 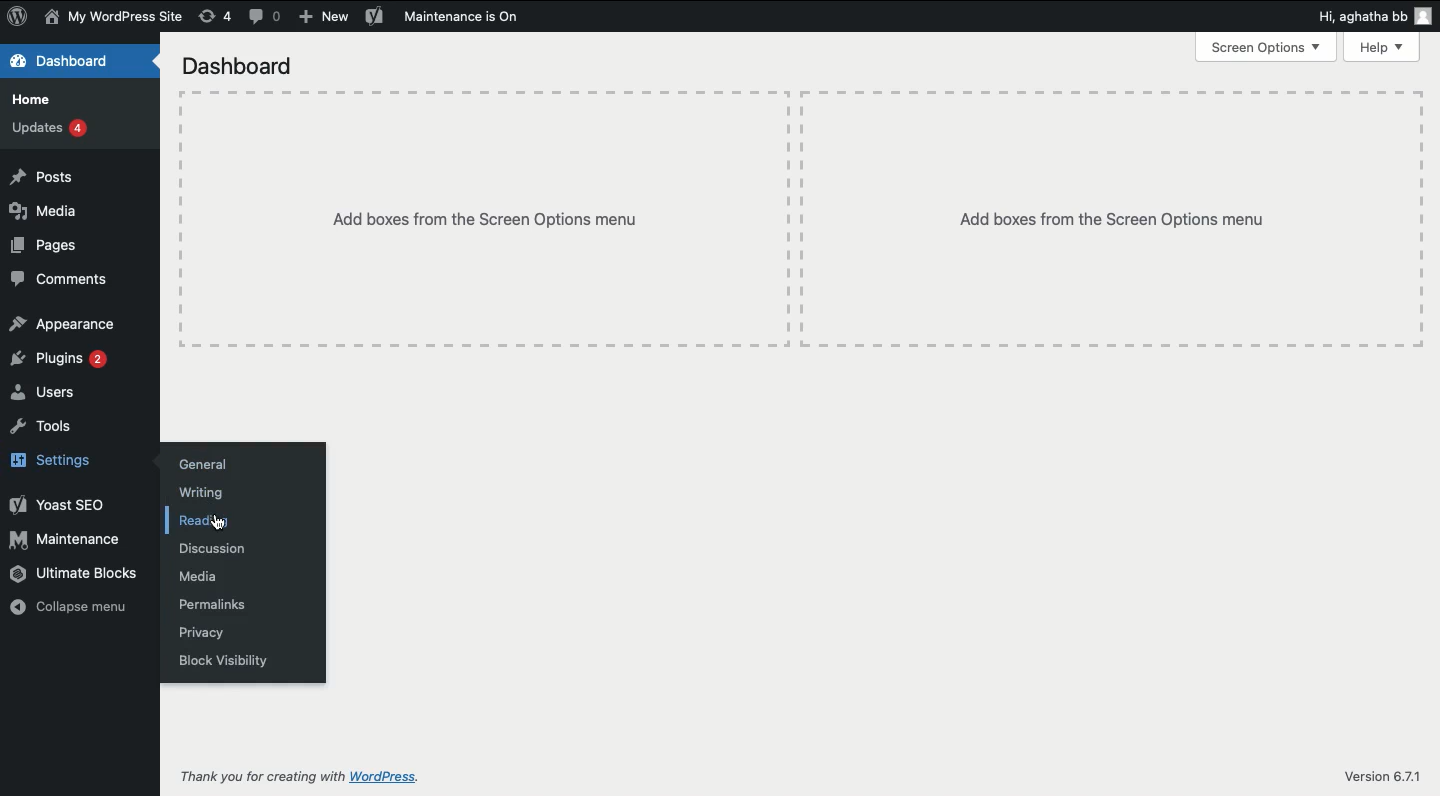 What do you see at coordinates (46, 245) in the screenshot?
I see `pages` at bounding box center [46, 245].